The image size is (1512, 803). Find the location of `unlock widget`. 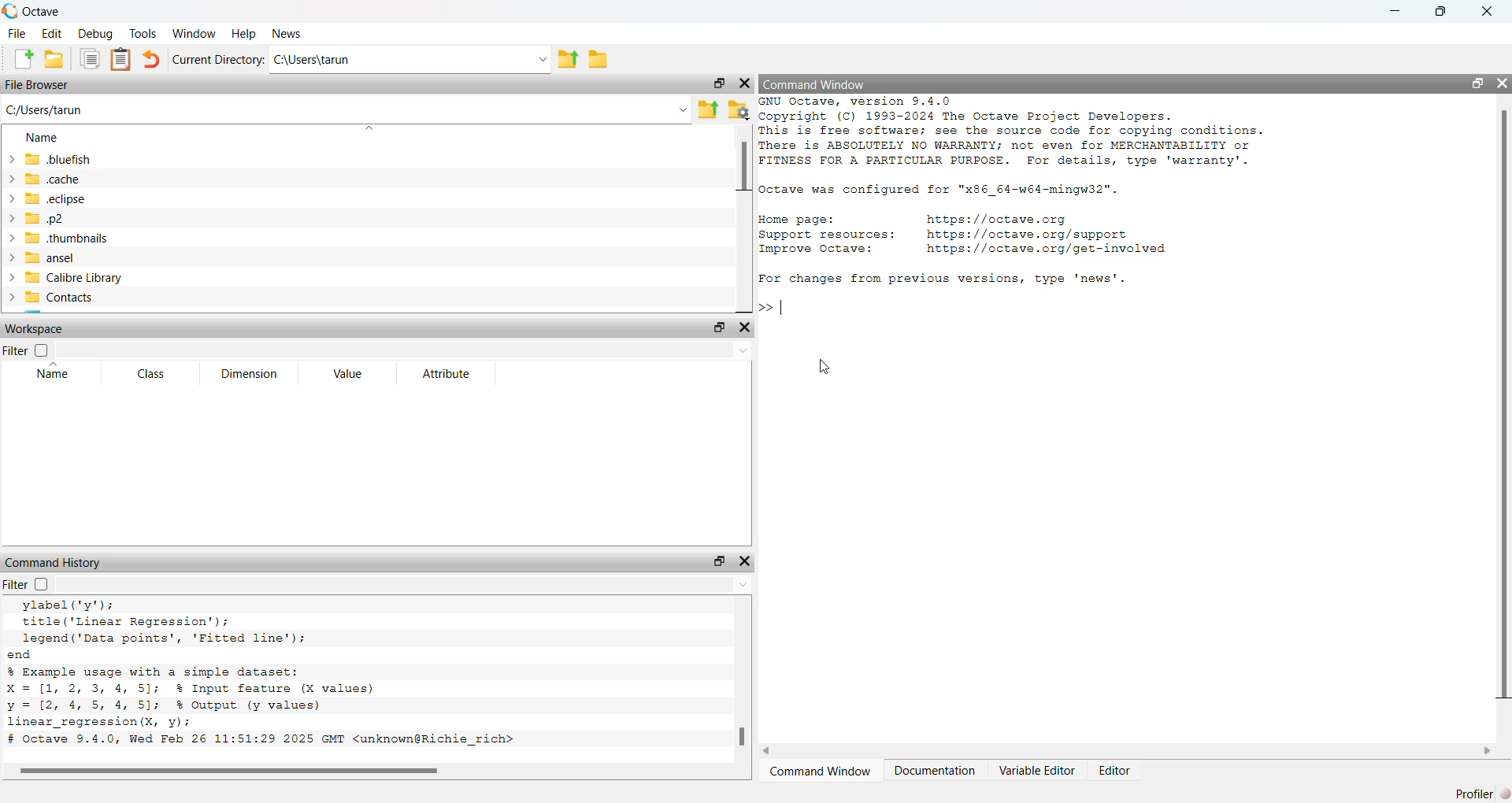

unlock widget is located at coordinates (1477, 81).